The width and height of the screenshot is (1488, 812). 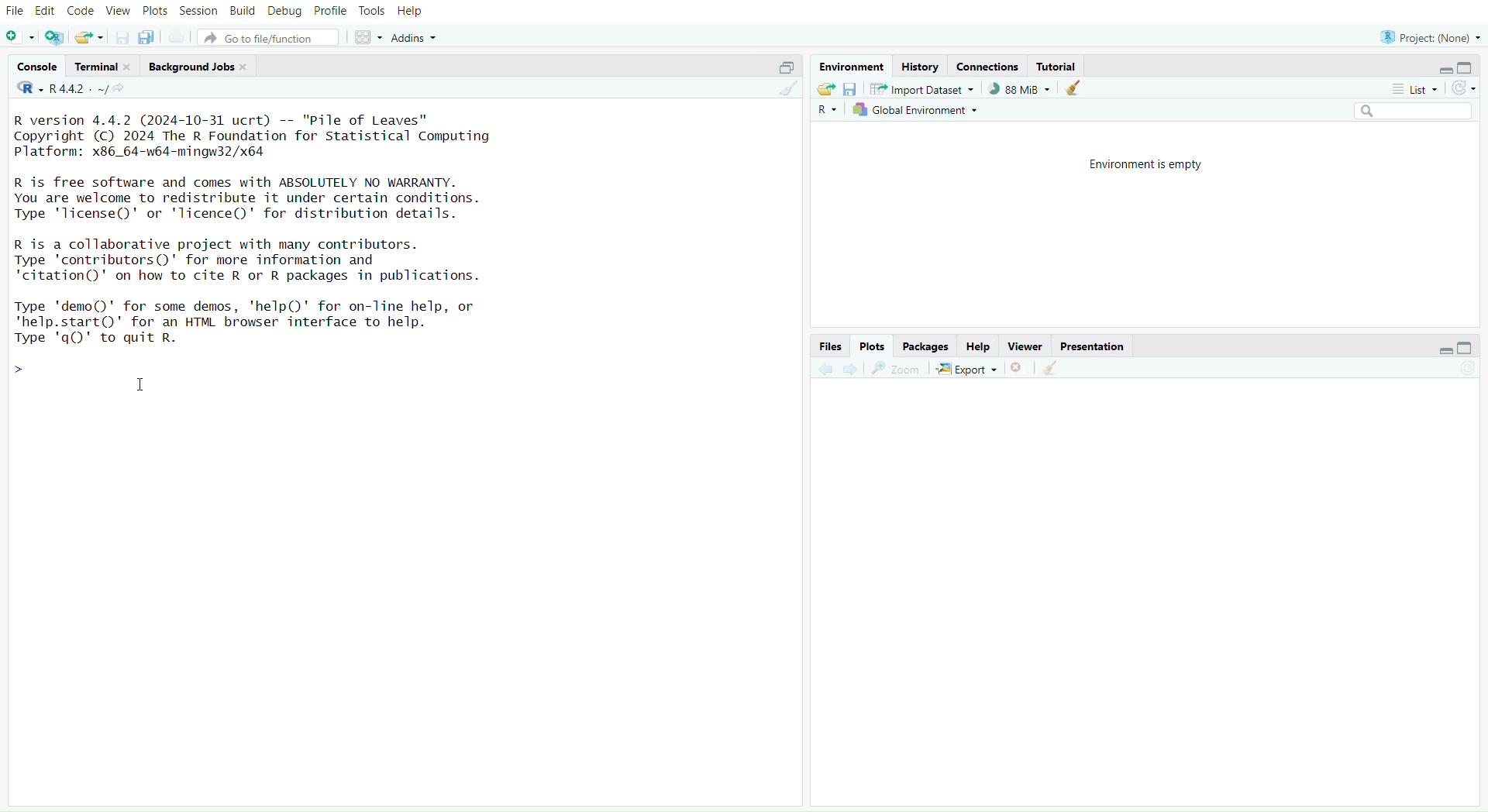 I want to click on open an existing file, so click(x=90, y=38).